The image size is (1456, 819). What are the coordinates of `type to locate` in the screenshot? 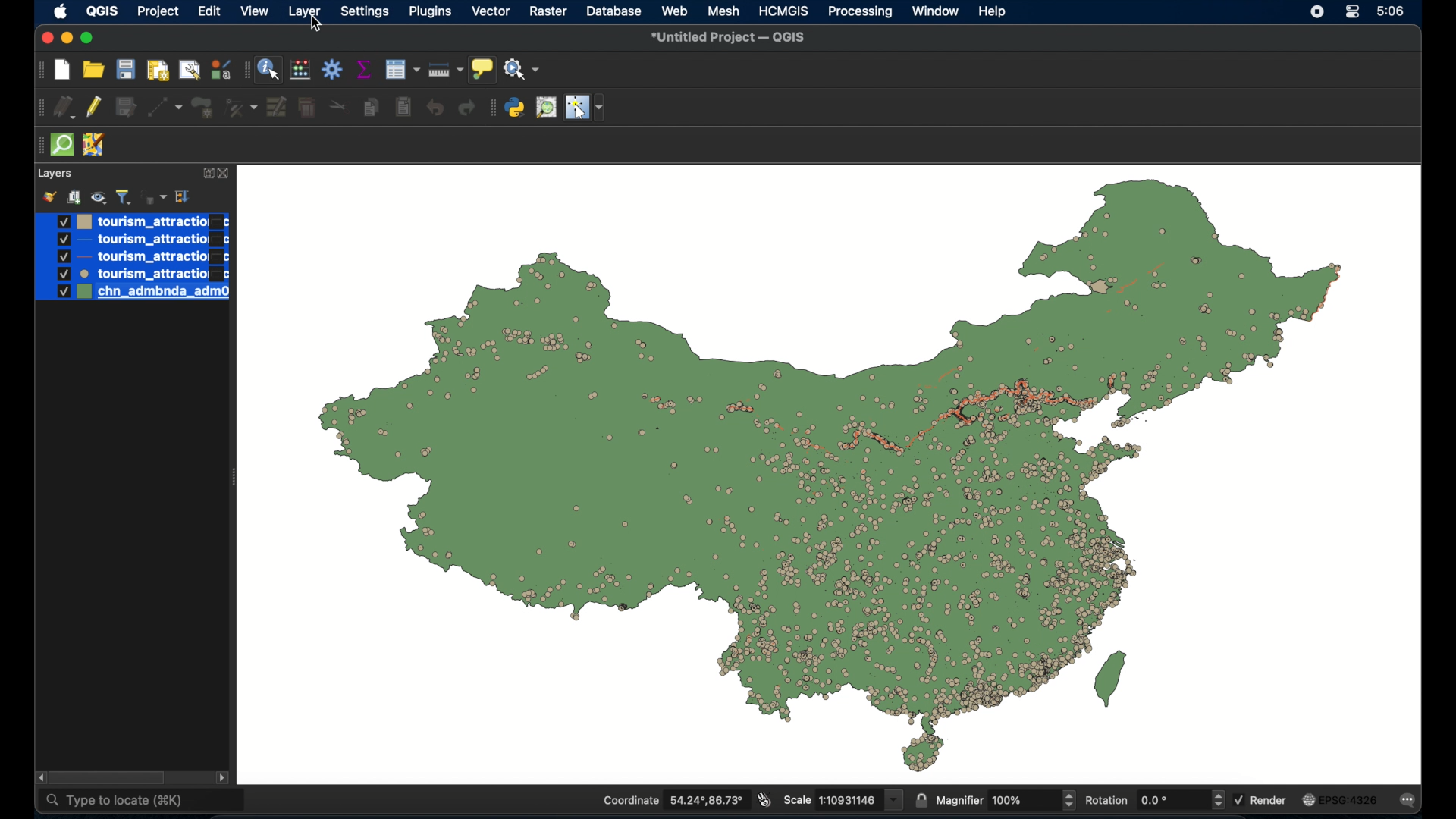 It's located at (143, 800).